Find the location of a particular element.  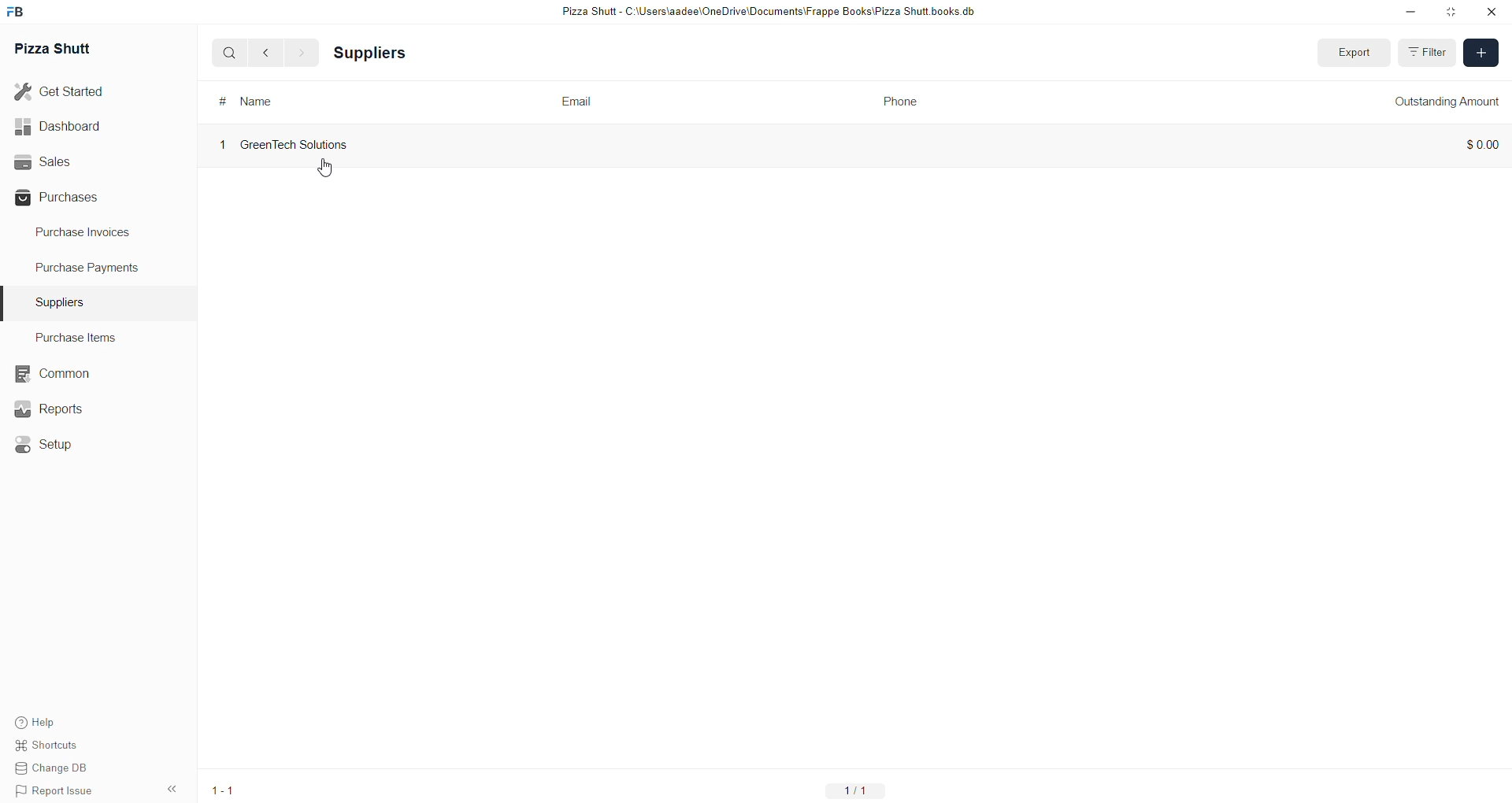

1-1 is located at coordinates (854, 790).